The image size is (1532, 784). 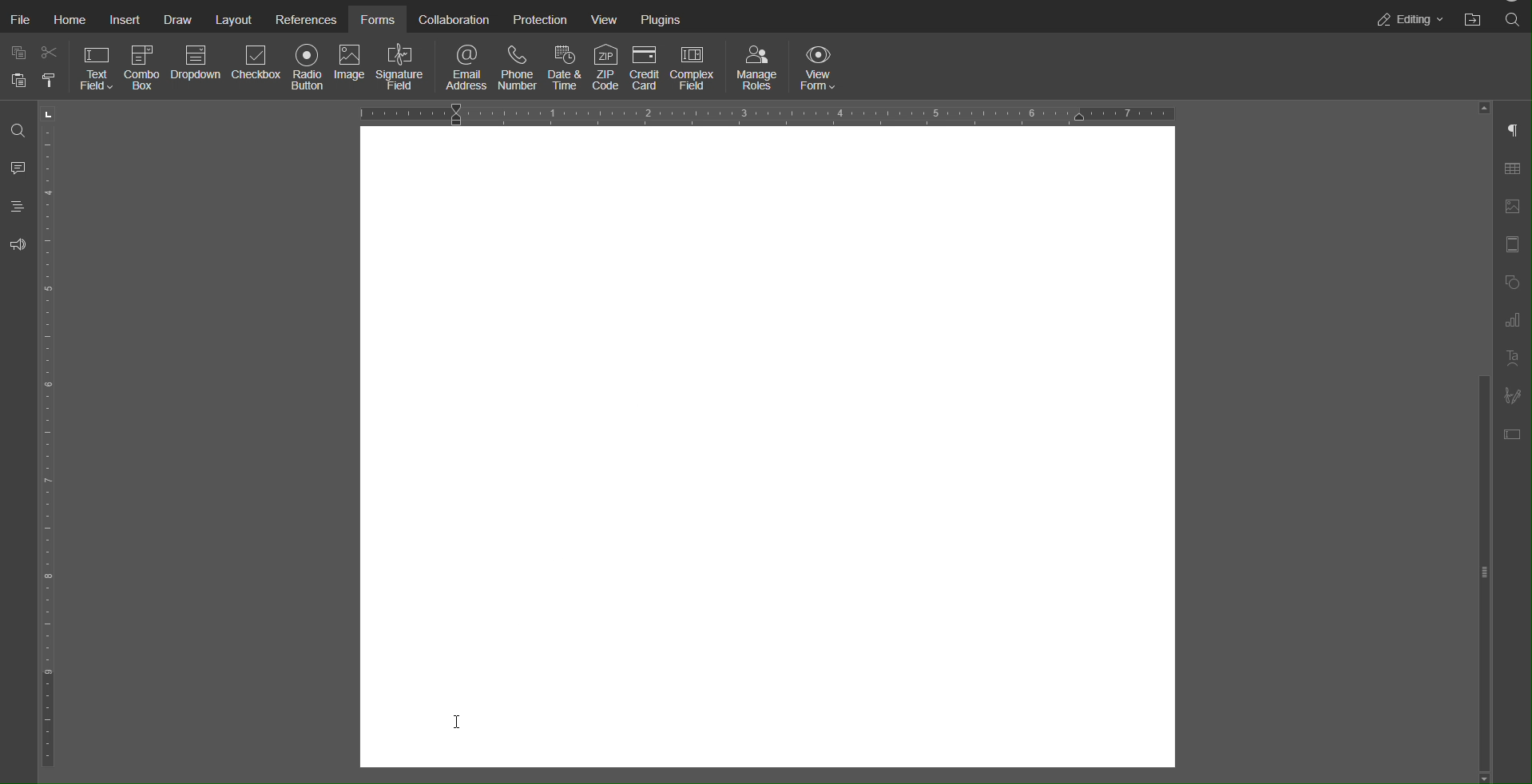 I want to click on Home, so click(x=75, y=20).